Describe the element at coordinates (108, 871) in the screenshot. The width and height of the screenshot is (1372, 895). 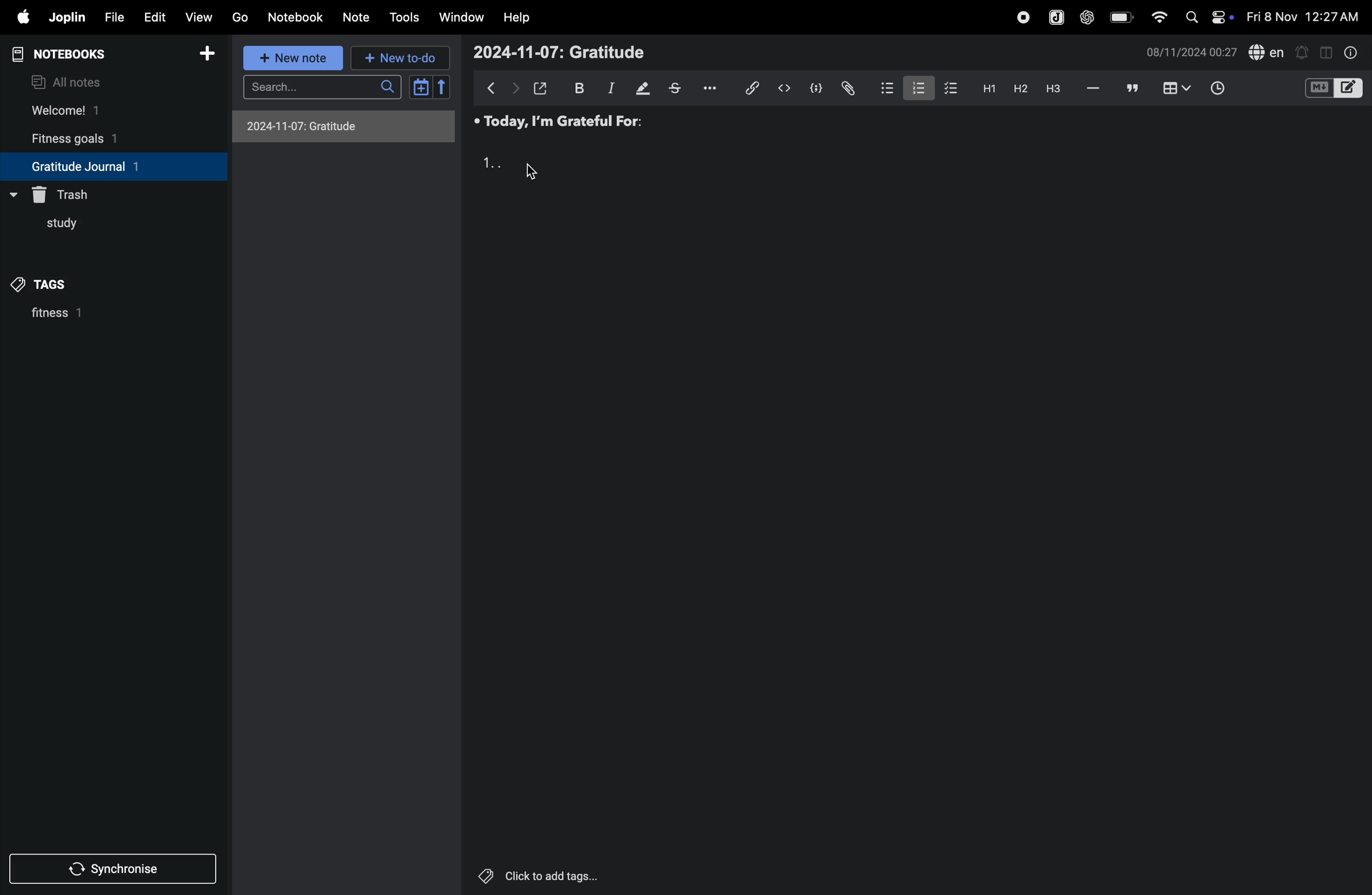
I see `synchronise` at that location.